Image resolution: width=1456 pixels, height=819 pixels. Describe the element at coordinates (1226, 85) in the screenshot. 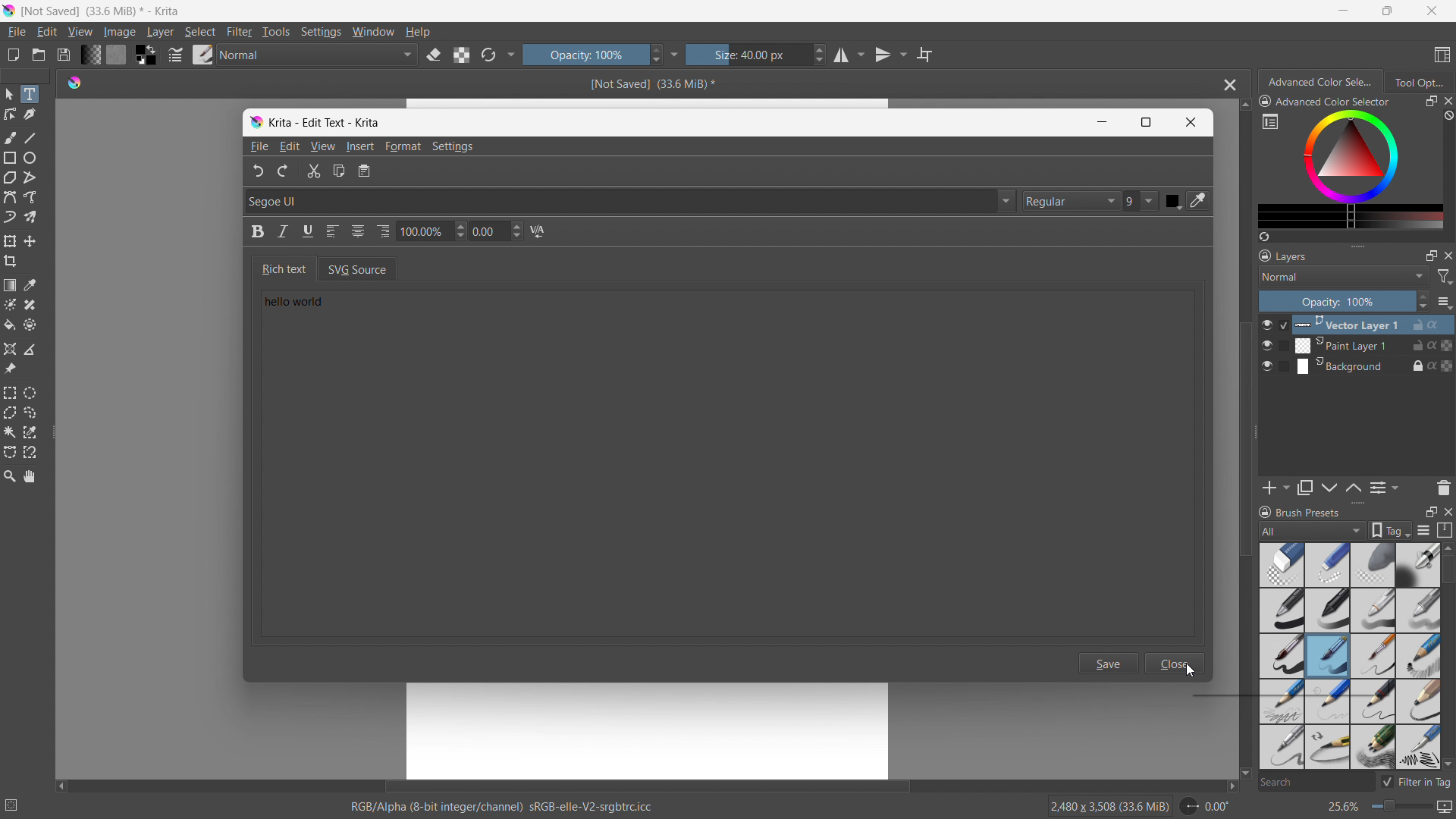

I see `close document` at that location.